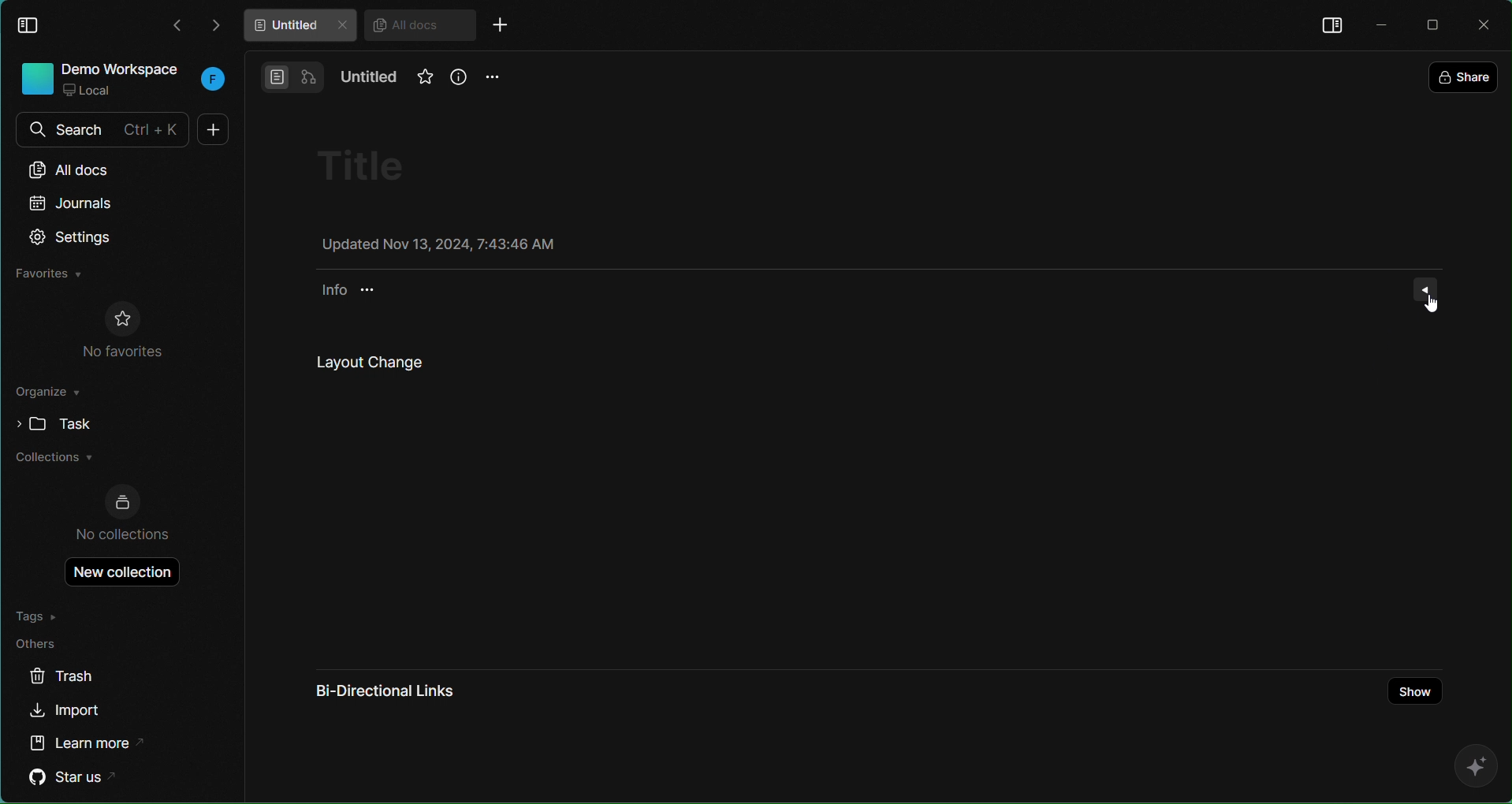 Image resolution: width=1512 pixels, height=804 pixels. I want to click on display, so click(32, 24).